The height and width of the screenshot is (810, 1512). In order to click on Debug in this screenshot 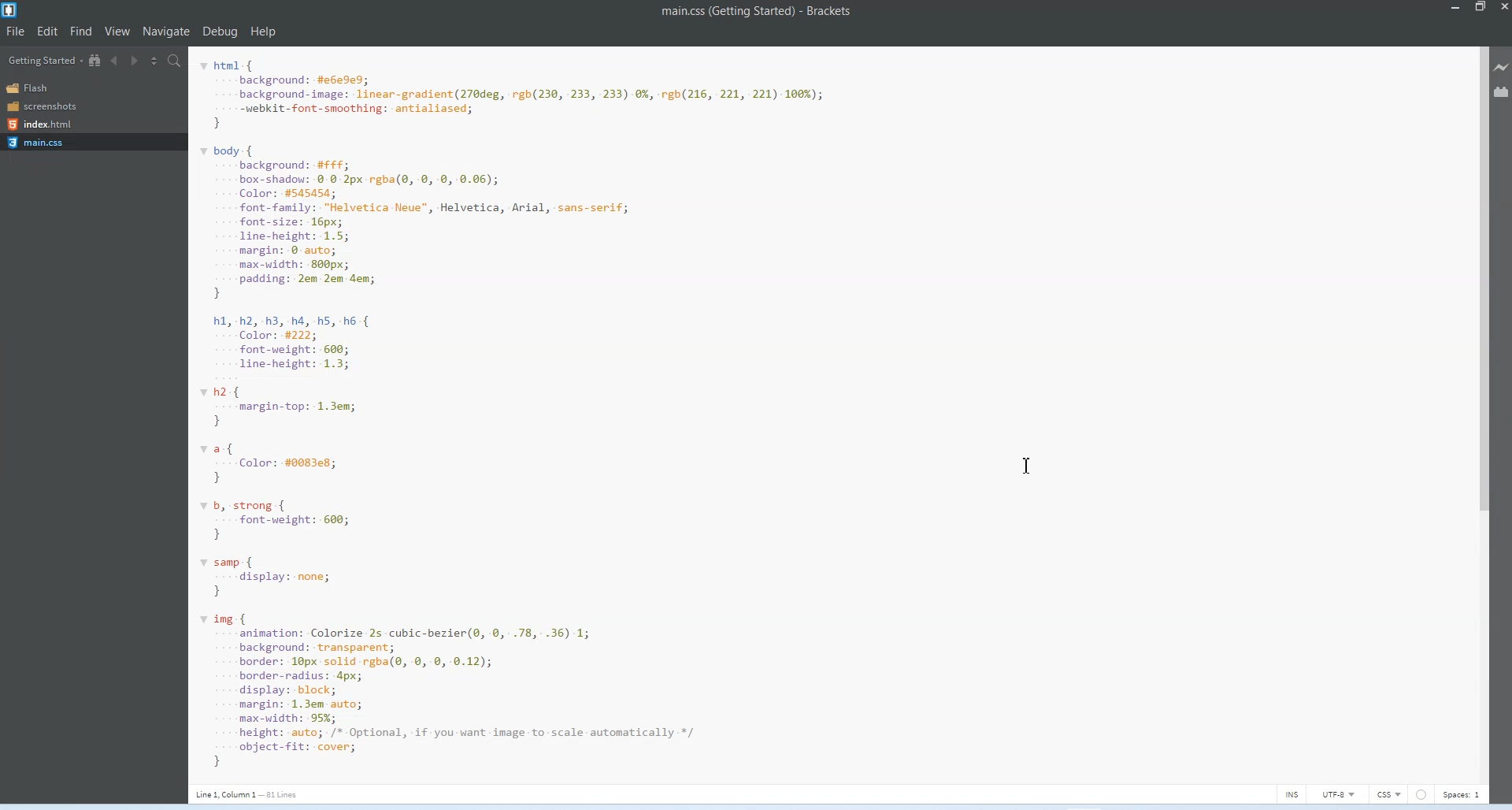, I will do `click(221, 33)`.